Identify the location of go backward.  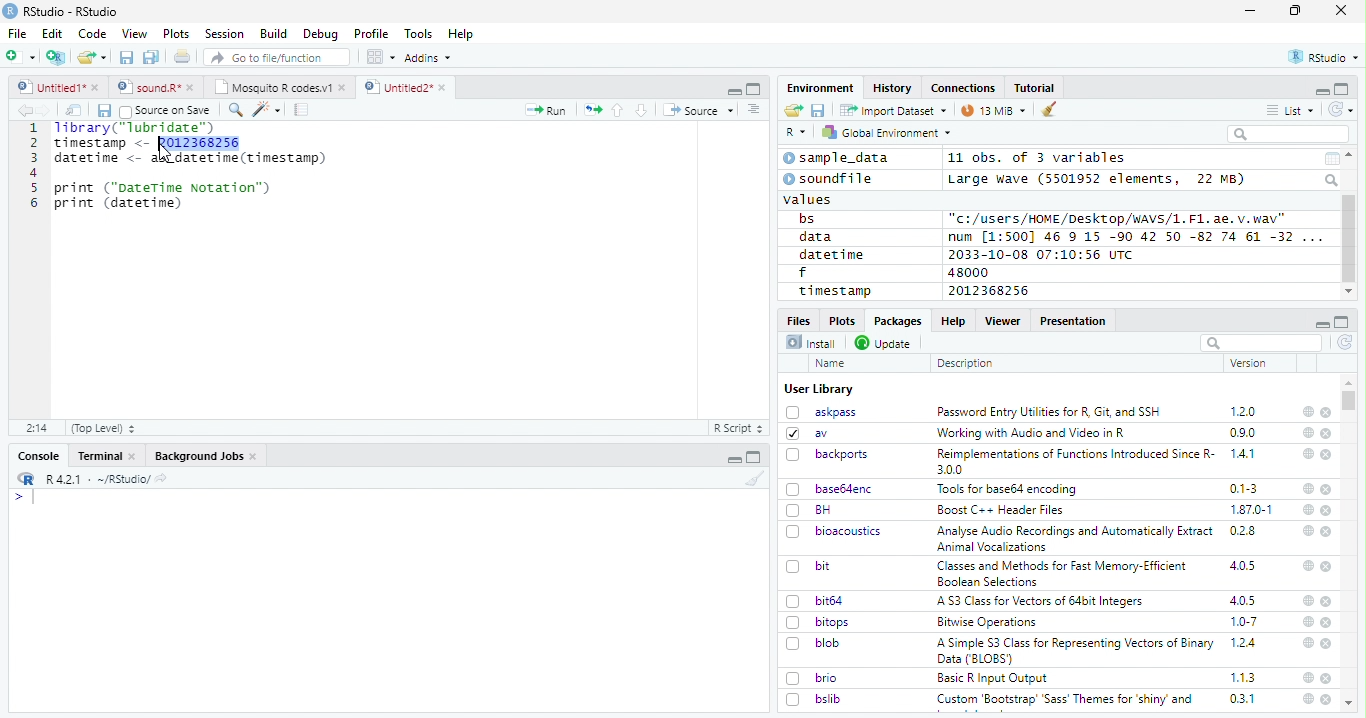
(25, 109).